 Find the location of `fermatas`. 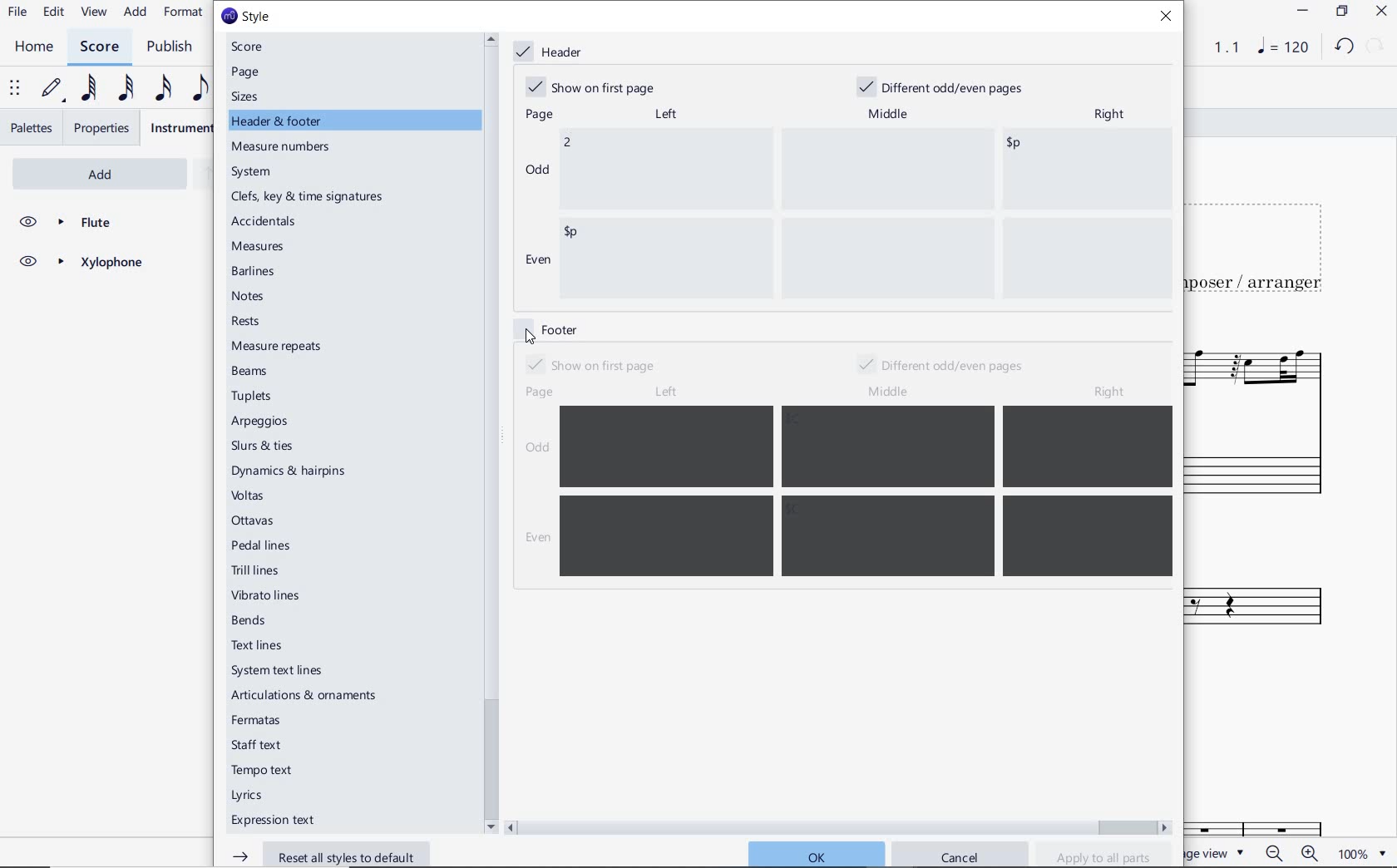

fermatas is located at coordinates (254, 721).